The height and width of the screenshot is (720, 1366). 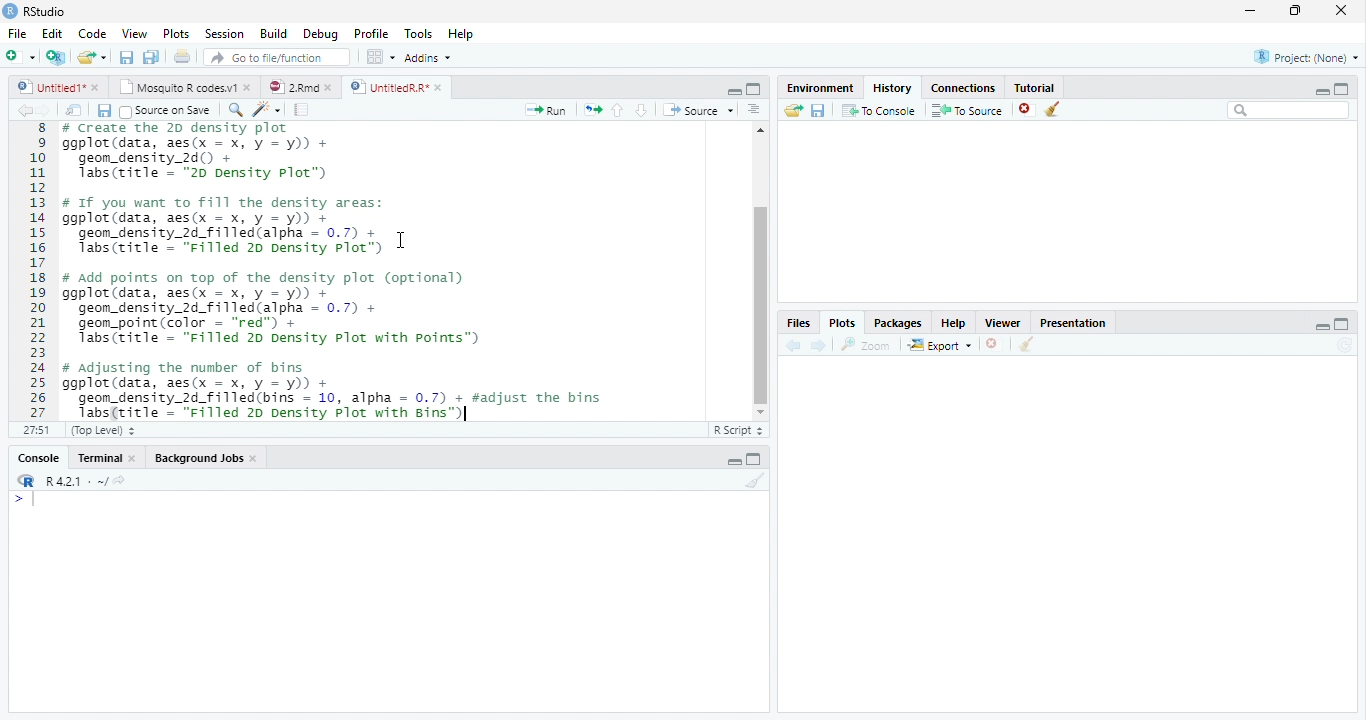 What do you see at coordinates (90, 57) in the screenshot?
I see `open an existing file` at bounding box center [90, 57].